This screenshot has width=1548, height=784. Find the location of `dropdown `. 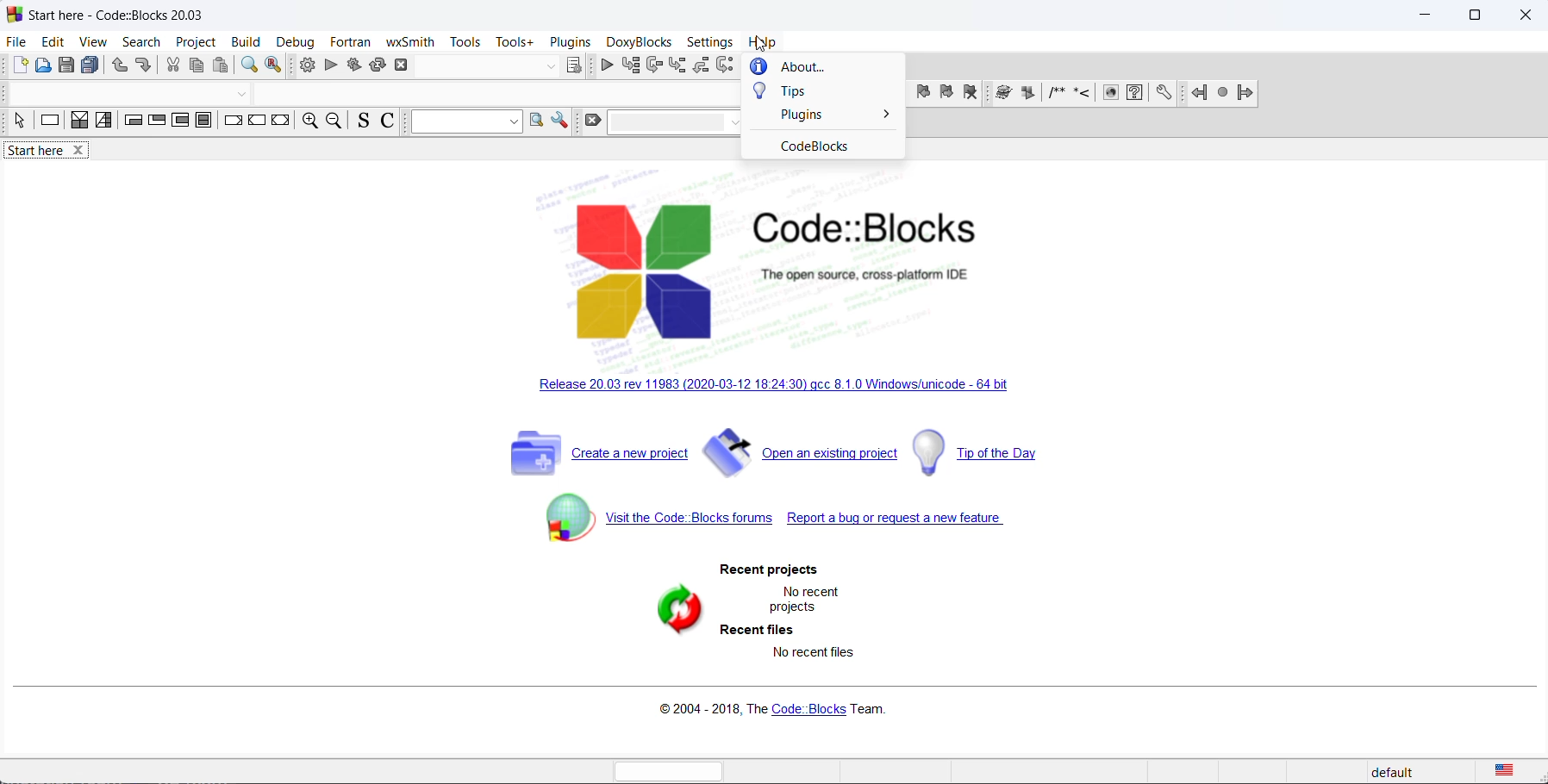

dropdown  is located at coordinates (674, 122).